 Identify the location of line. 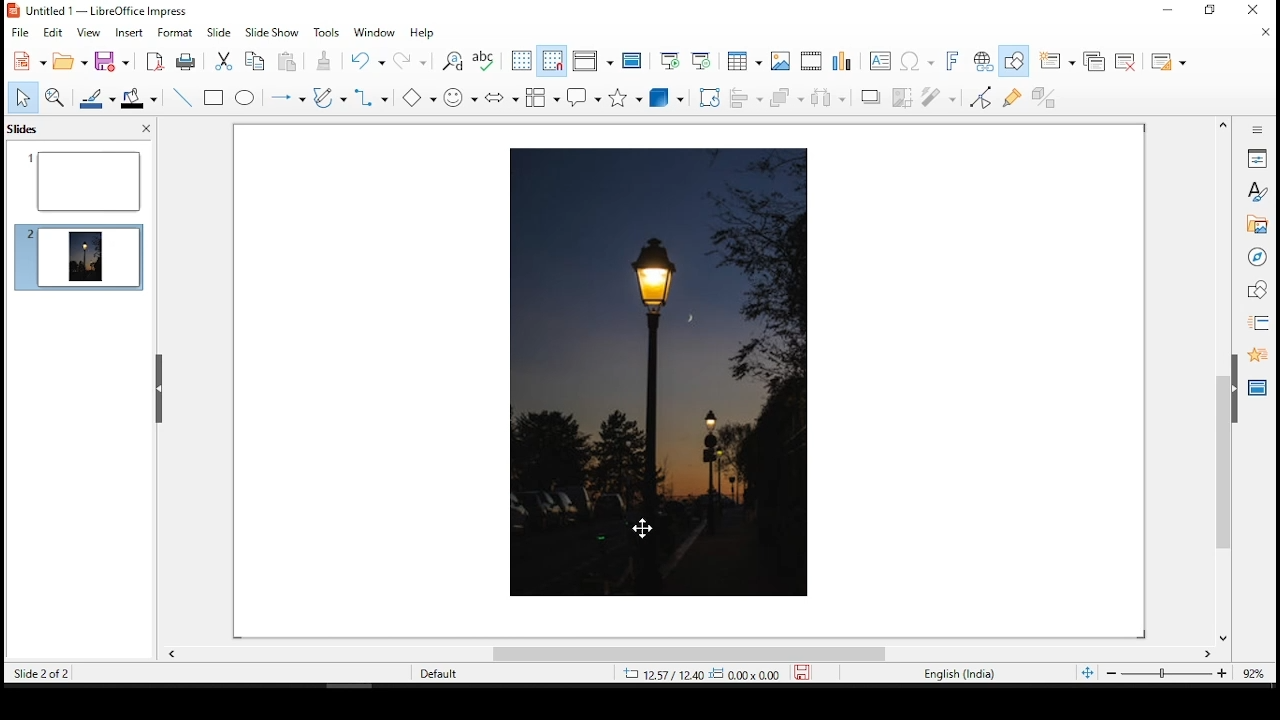
(183, 96).